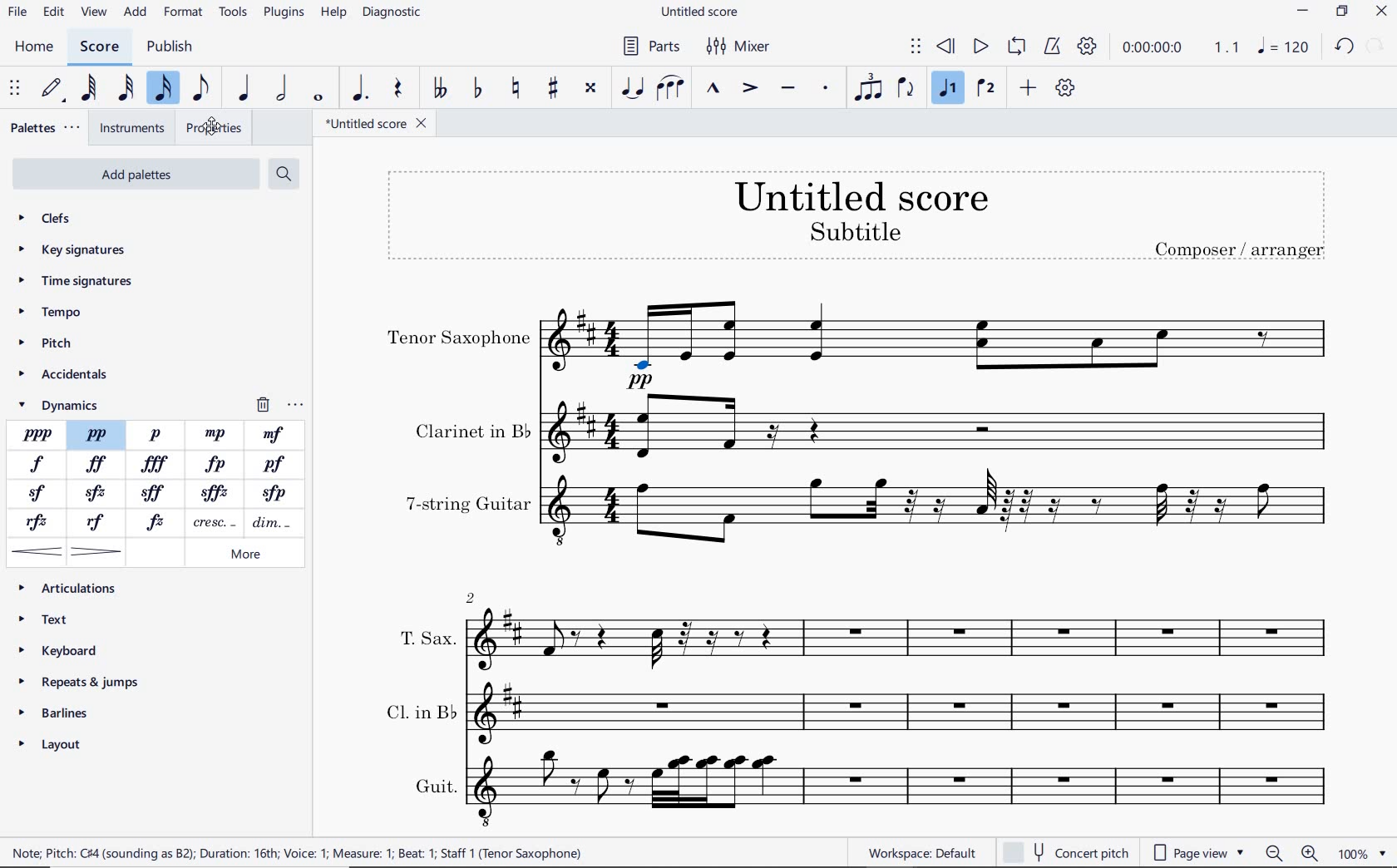 The width and height of the screenshot is (1397, 868). What do you see at coordinates (37, 495) in the screenshot?
I see `SF (SFORZANDO)` at bounding box center [37, 495].